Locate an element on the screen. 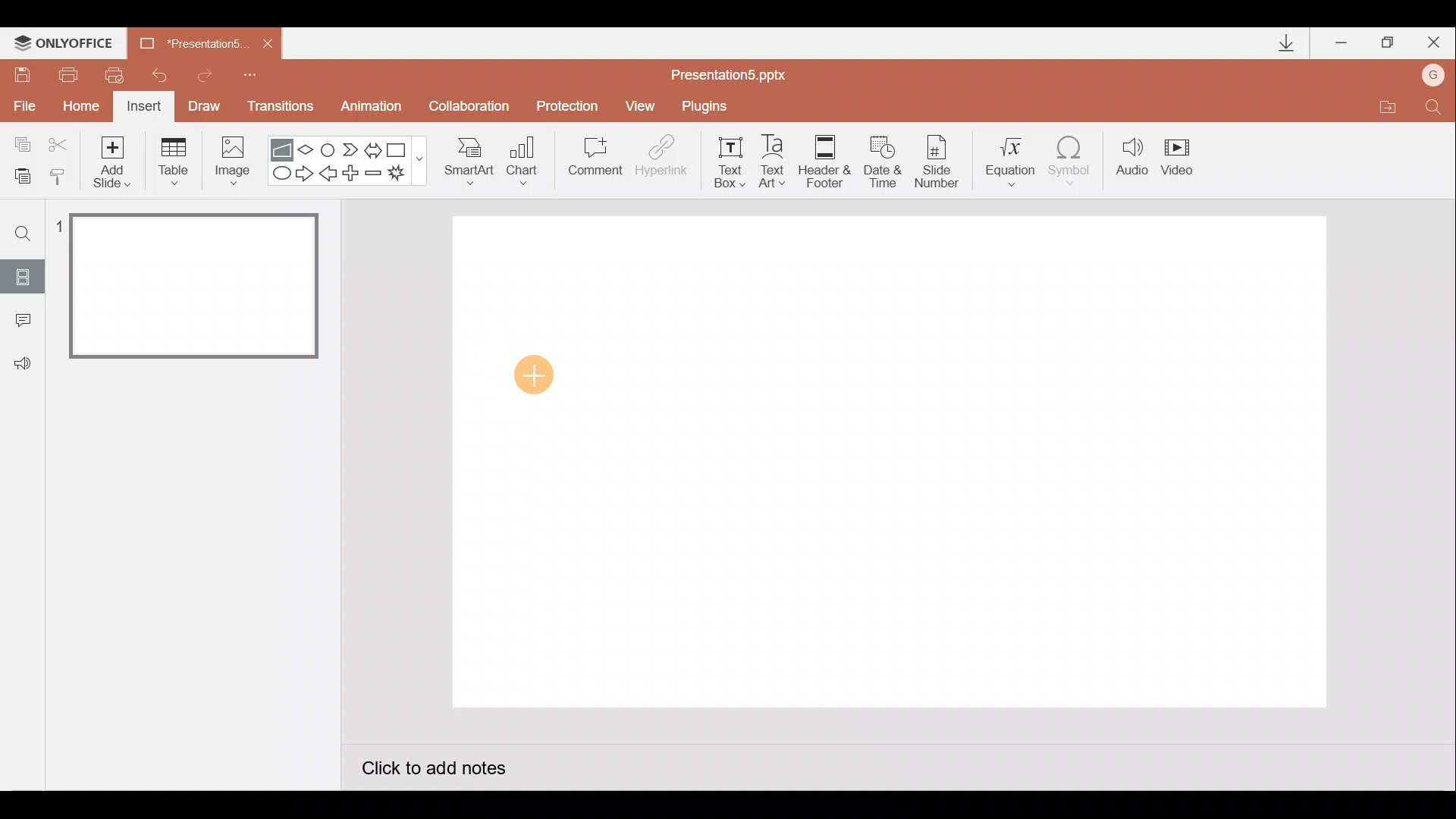  Click to add notes is located at coordinates (432, 770).